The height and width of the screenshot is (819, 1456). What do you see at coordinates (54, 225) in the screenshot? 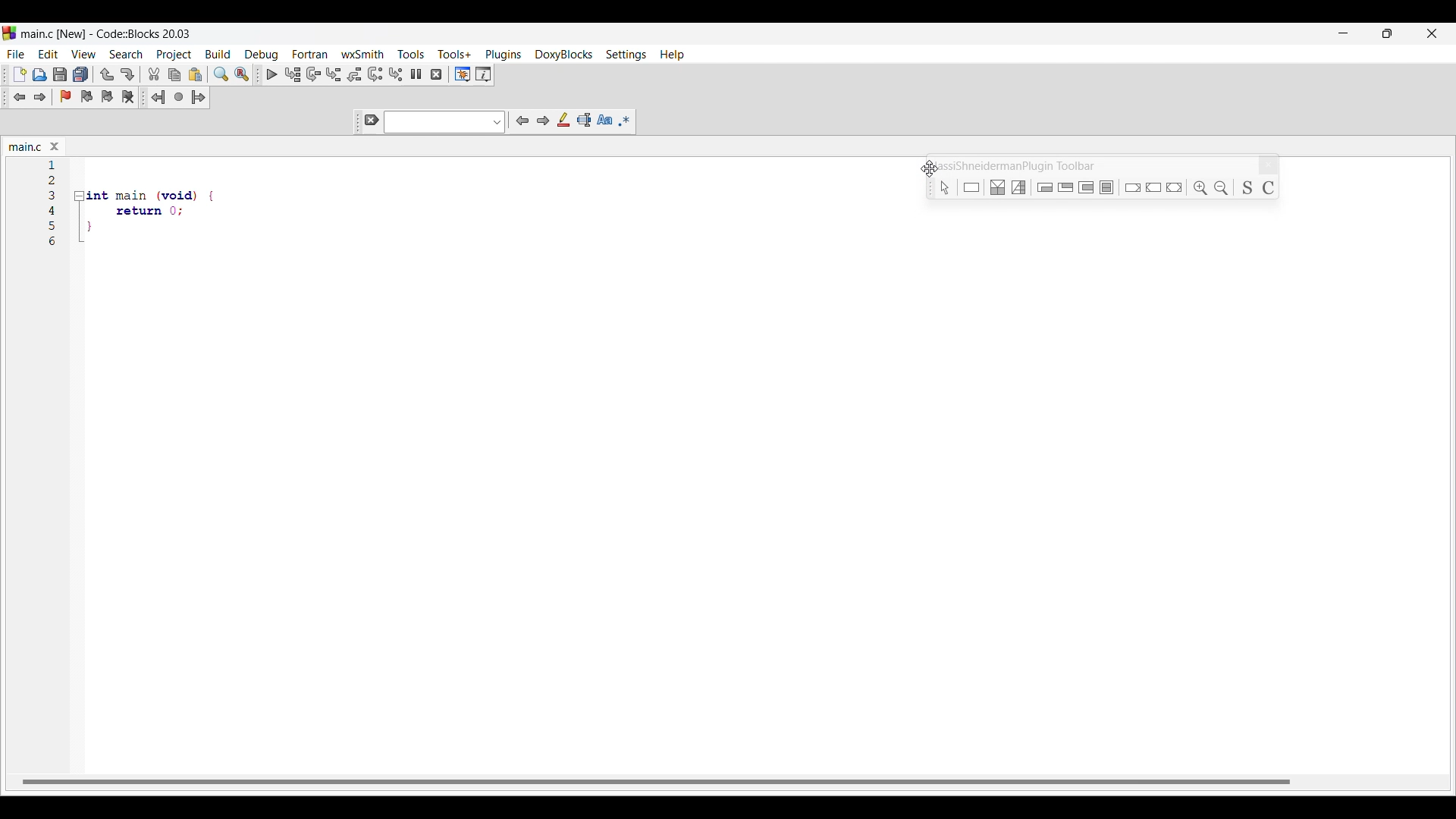
I see `` at bounding box center [54, 225].